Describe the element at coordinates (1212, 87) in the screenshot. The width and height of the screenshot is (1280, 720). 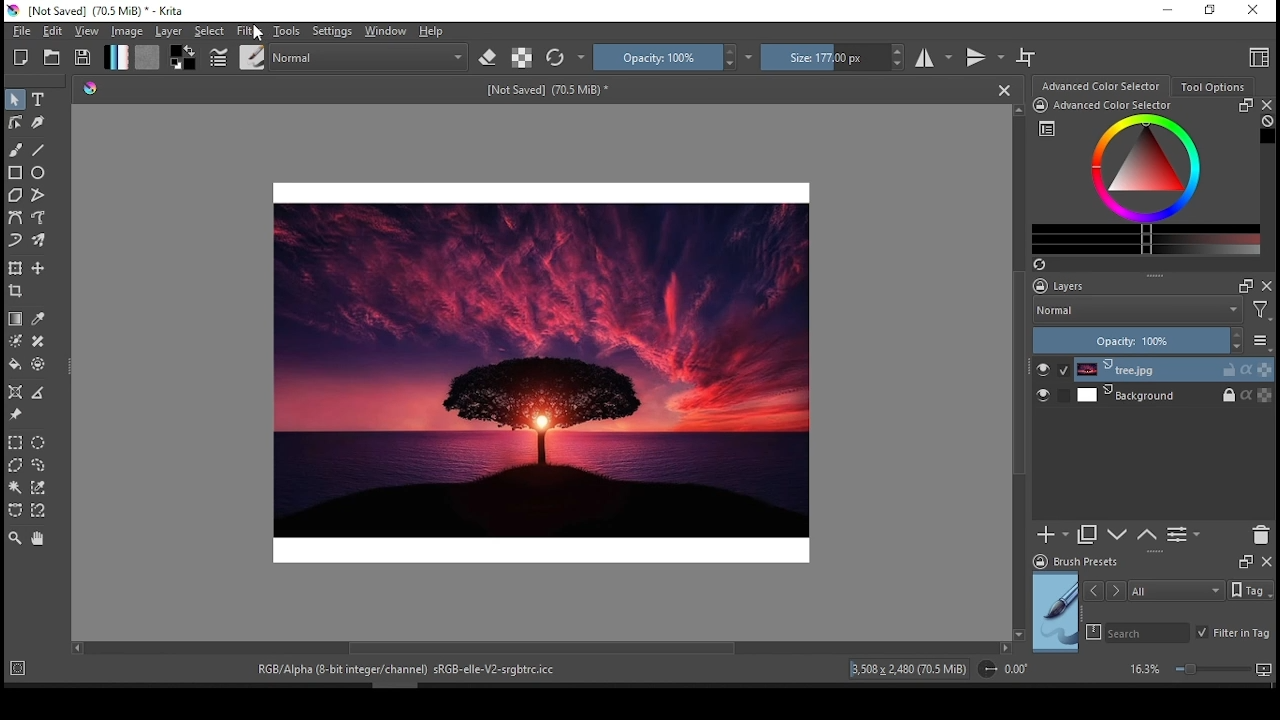
I see `tool options` at that location.